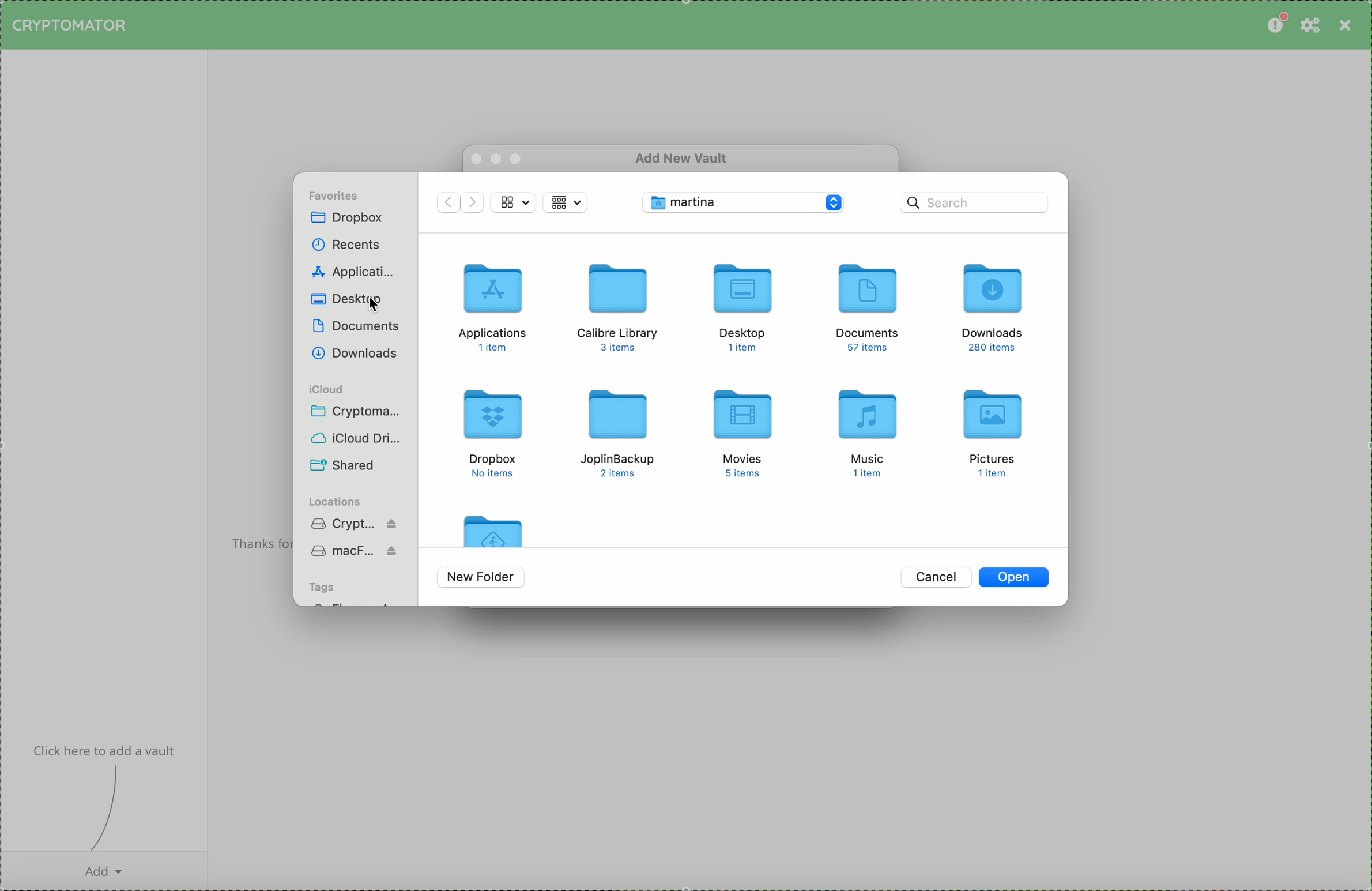 The image size is (1372, 891). What do you see at coordinates (354, 272) in the screenshot?
I see `applications` at bounding box center [354, 272].